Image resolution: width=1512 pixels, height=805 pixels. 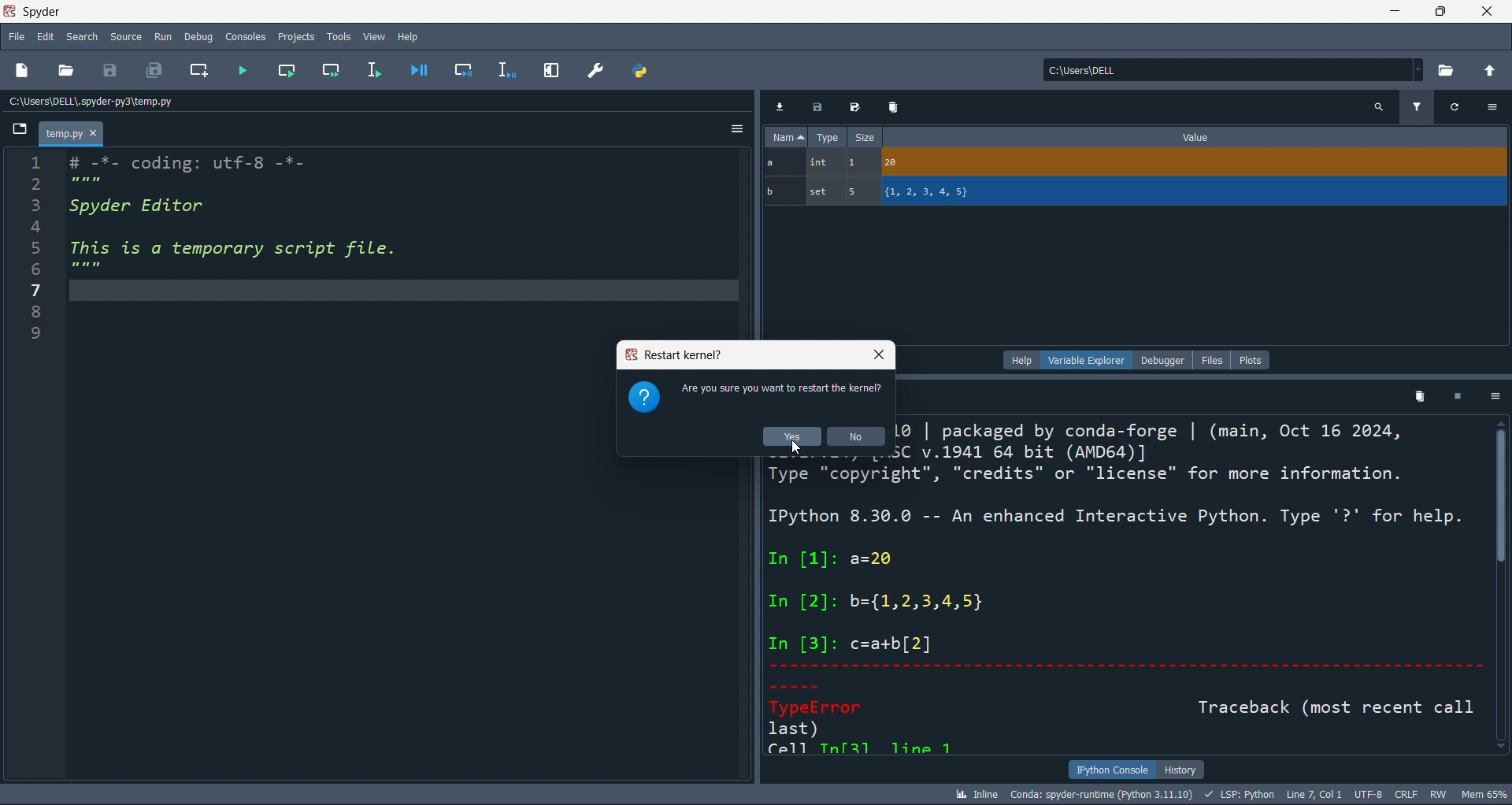 I want to click on Source, so click(x=125, y=38).